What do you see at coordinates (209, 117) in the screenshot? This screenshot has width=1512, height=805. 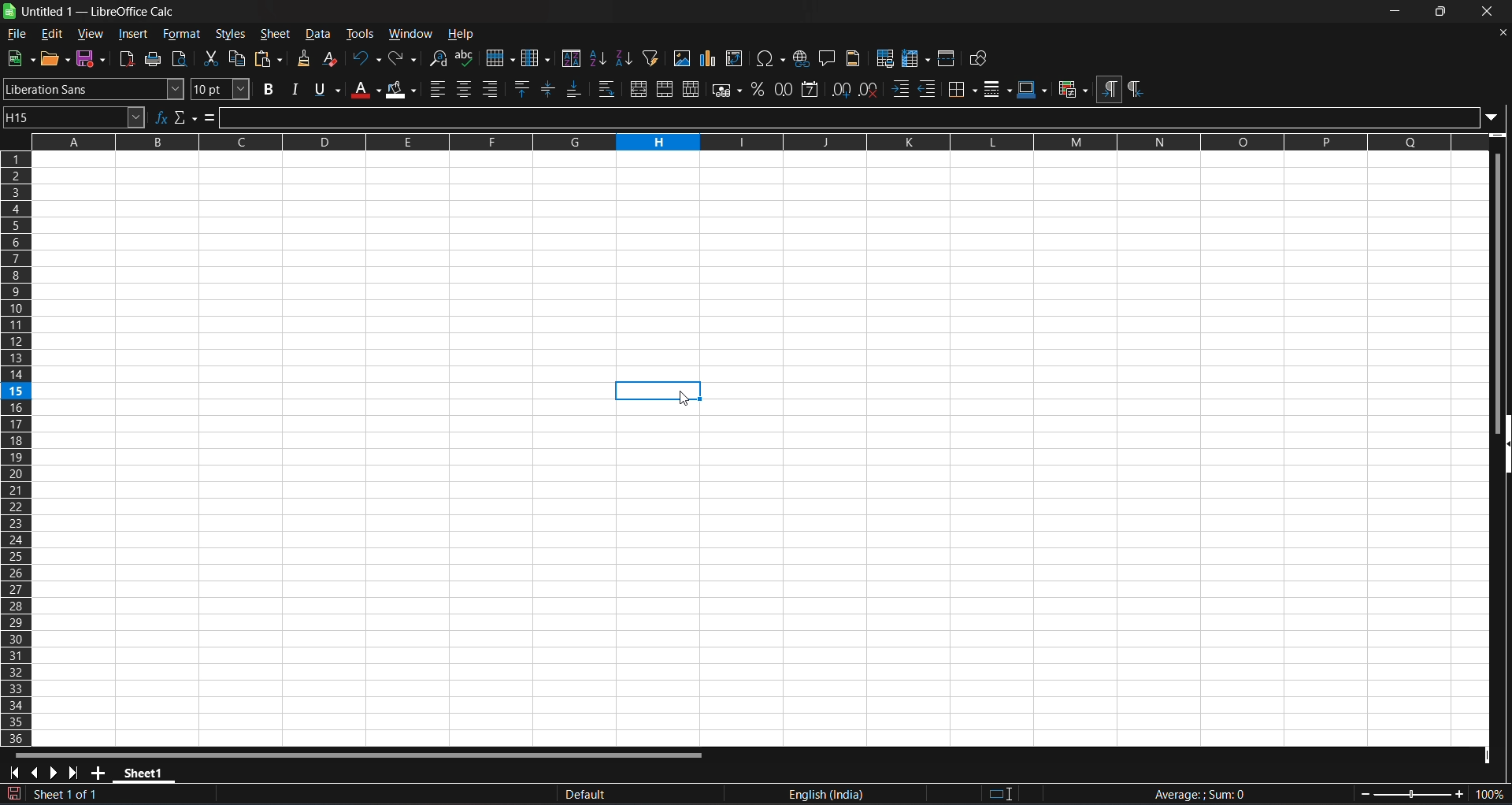 I see `formula` at bounding box center [209, 117].